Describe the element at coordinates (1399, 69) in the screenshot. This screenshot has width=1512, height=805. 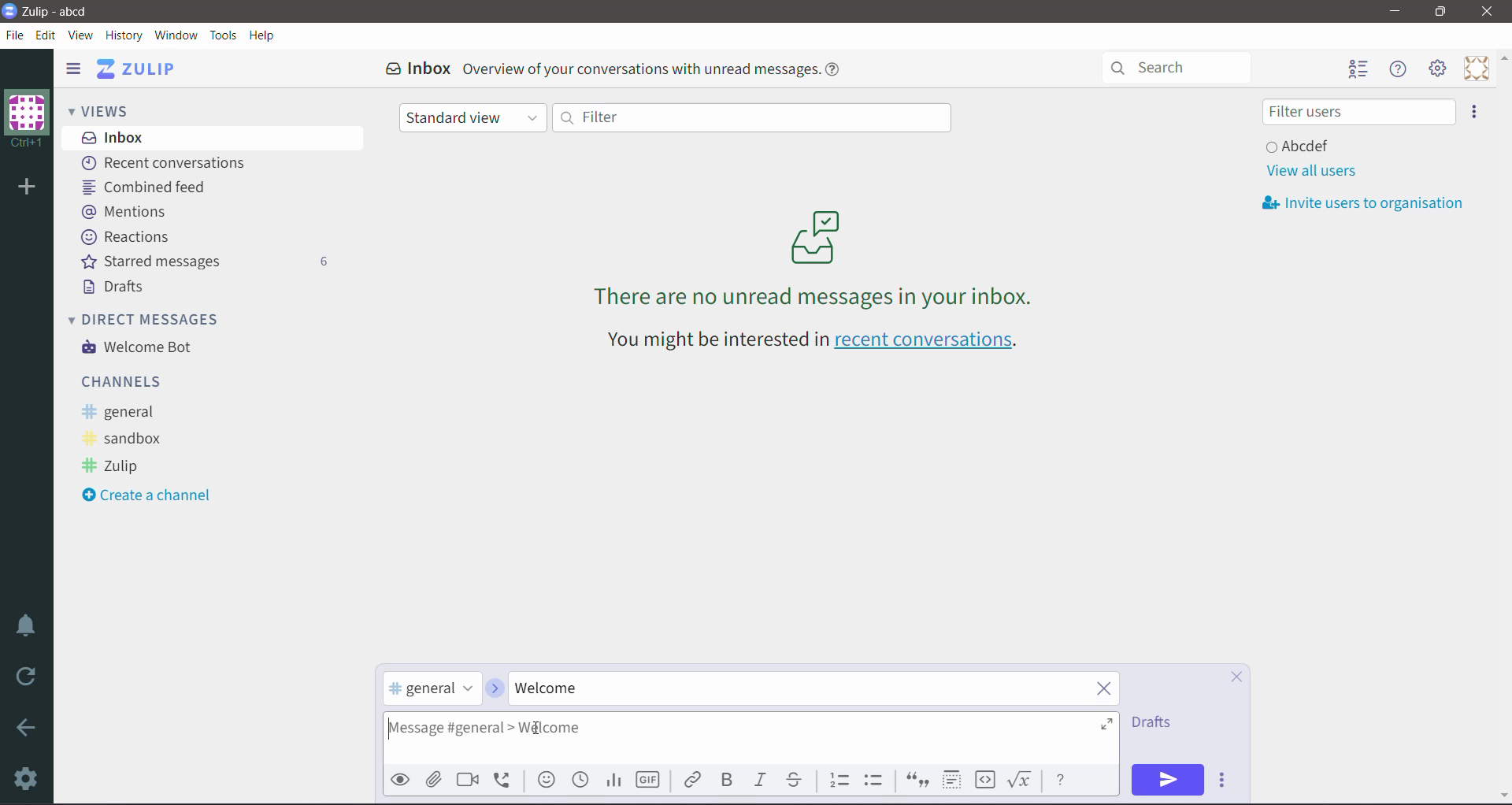
I see `Hide Menu` at that location.